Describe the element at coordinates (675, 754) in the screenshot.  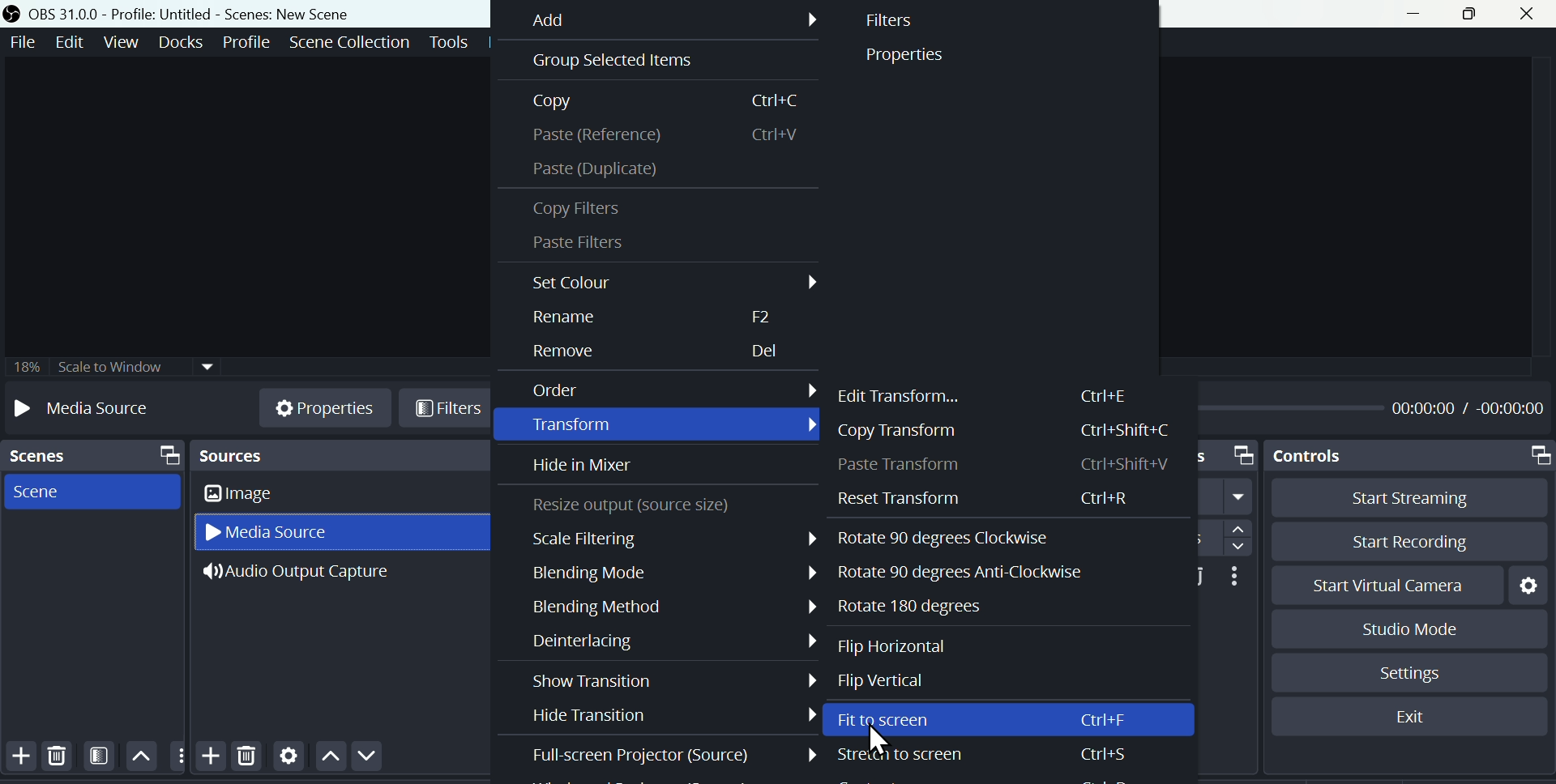
I see `Full screen projector source` at that location.